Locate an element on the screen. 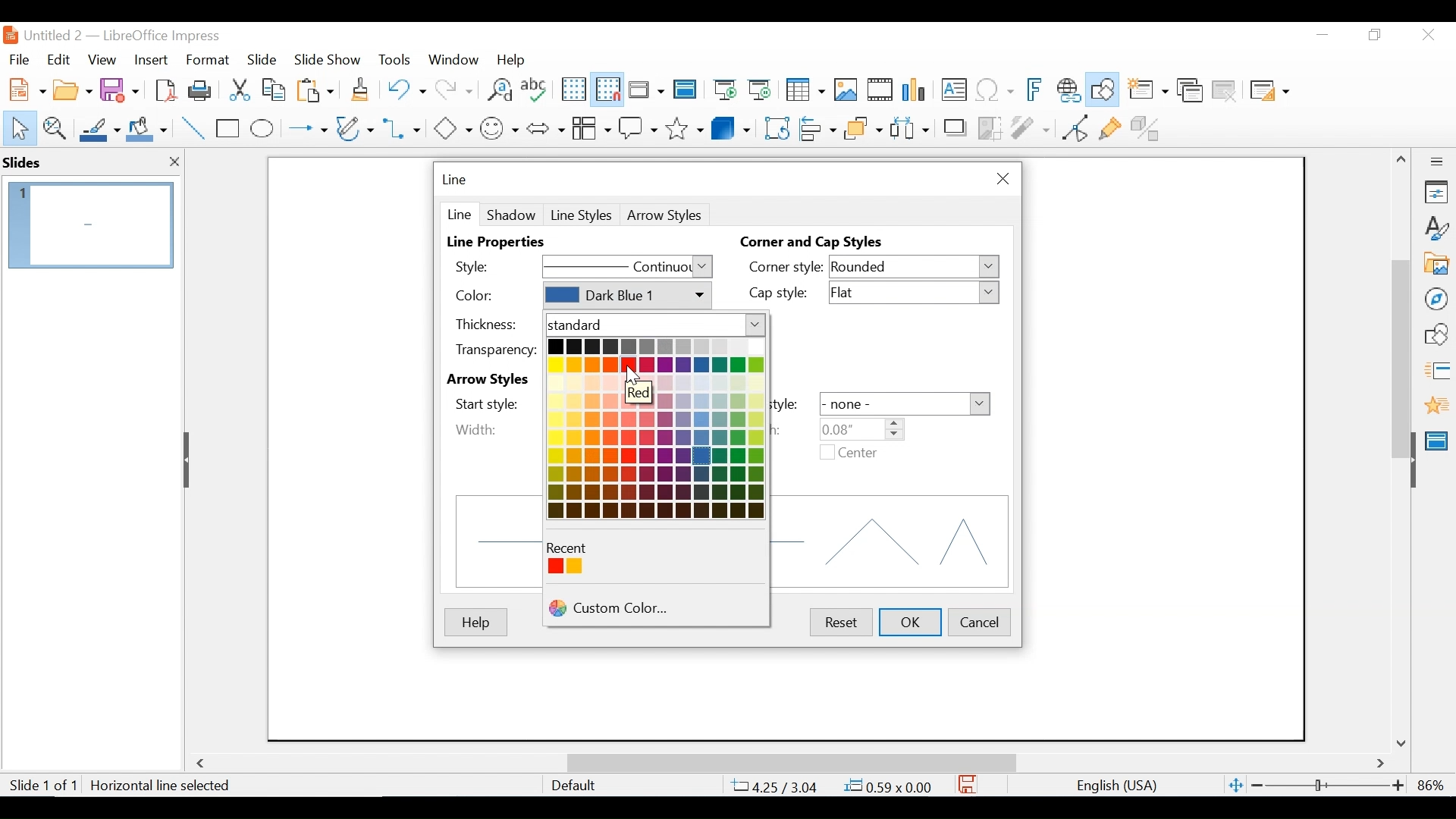 The height and width of the screenshot is (819, 1456). Paste is located at coordinates (319, 89).